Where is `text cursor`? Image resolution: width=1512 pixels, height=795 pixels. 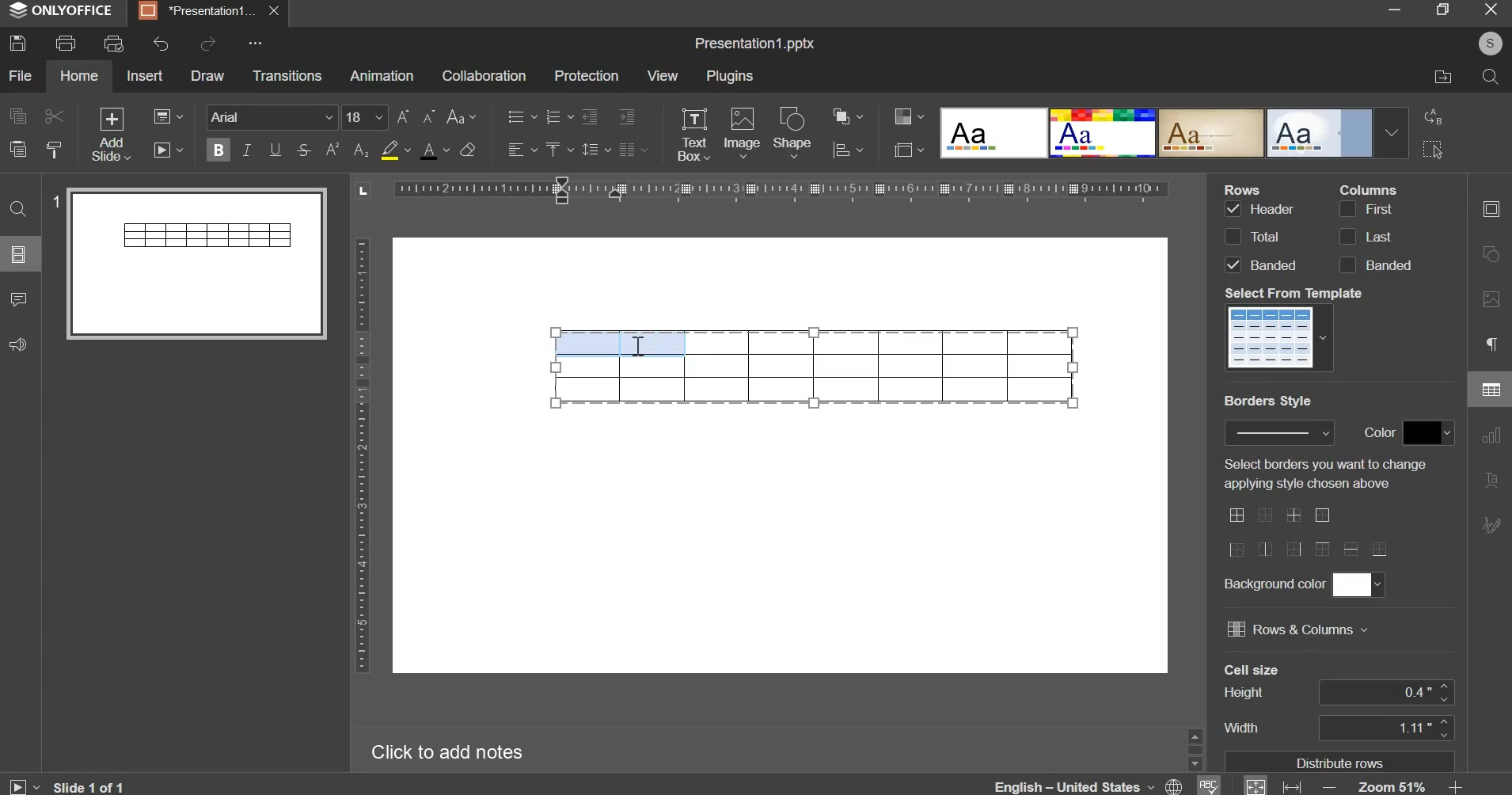 text cursor is located at coordinates (639, 346).